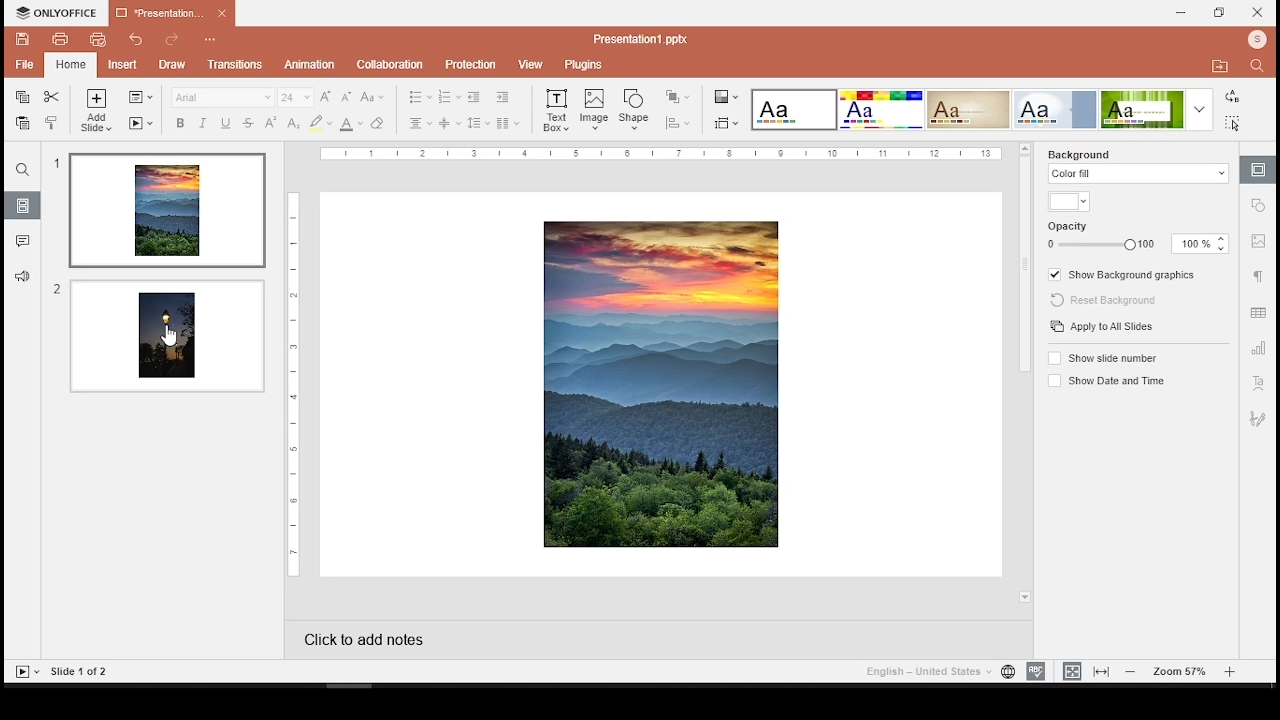  What do you see at coordinates (171, 335) in the screenshot?
I see `cursor` at bounding box center [171, 335].